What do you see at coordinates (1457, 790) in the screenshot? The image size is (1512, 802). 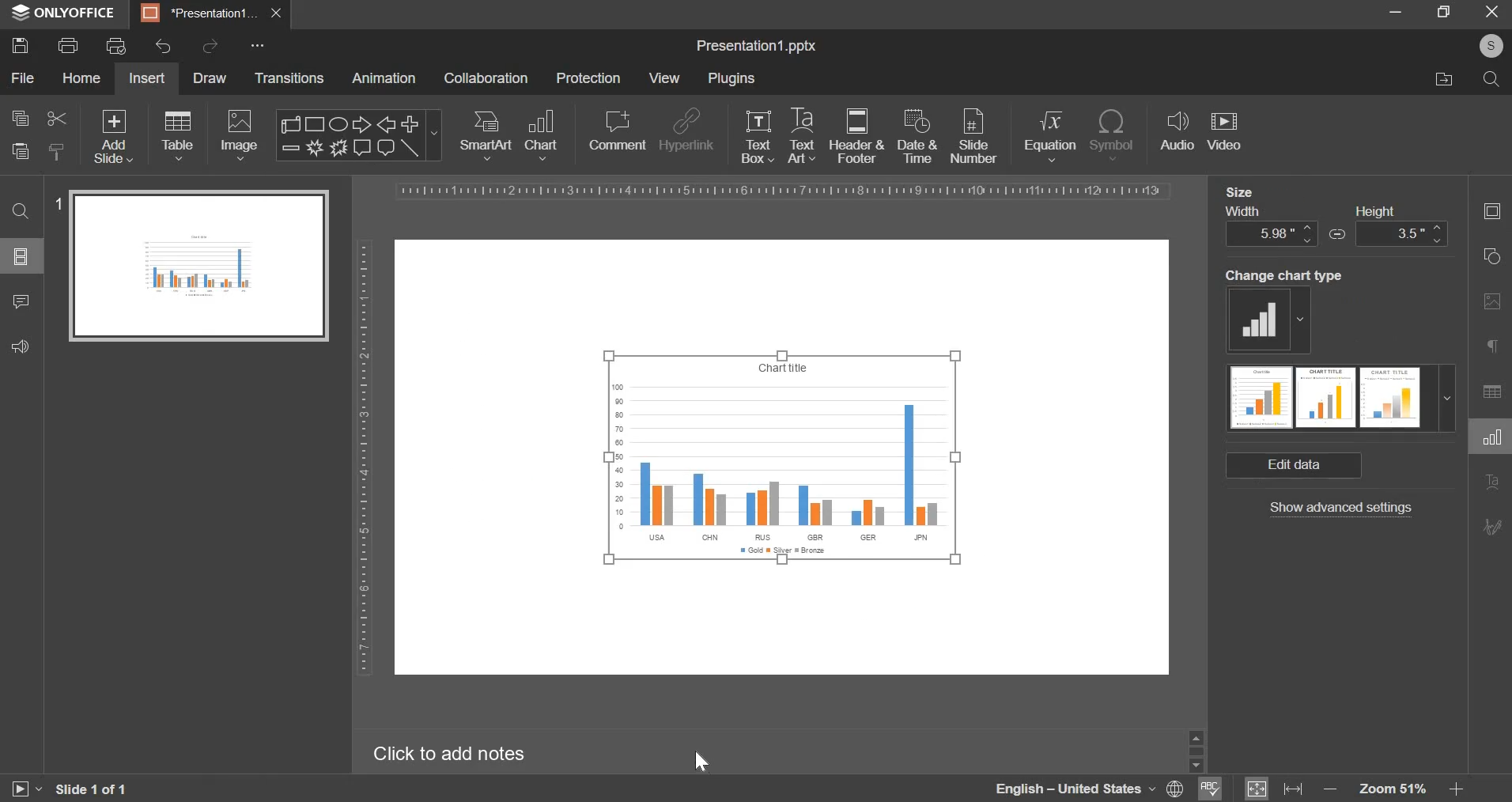 I see `zoom in` at bounding box center [1457, 790].